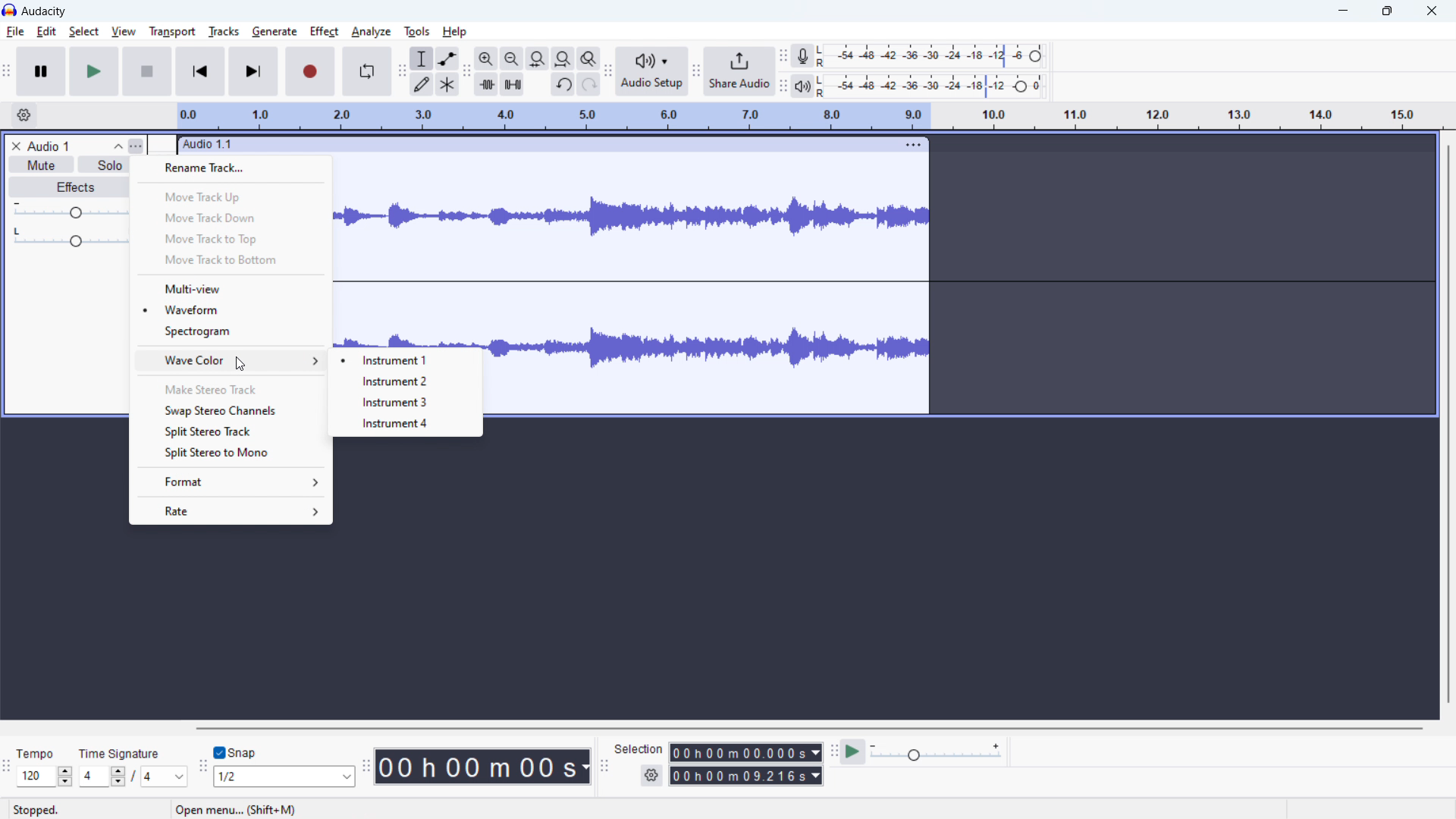 The image size is (1456, 819). What do you see at coordinates (310, 71) in the screenshot?
I see `record` at bounding box center [310, 71].